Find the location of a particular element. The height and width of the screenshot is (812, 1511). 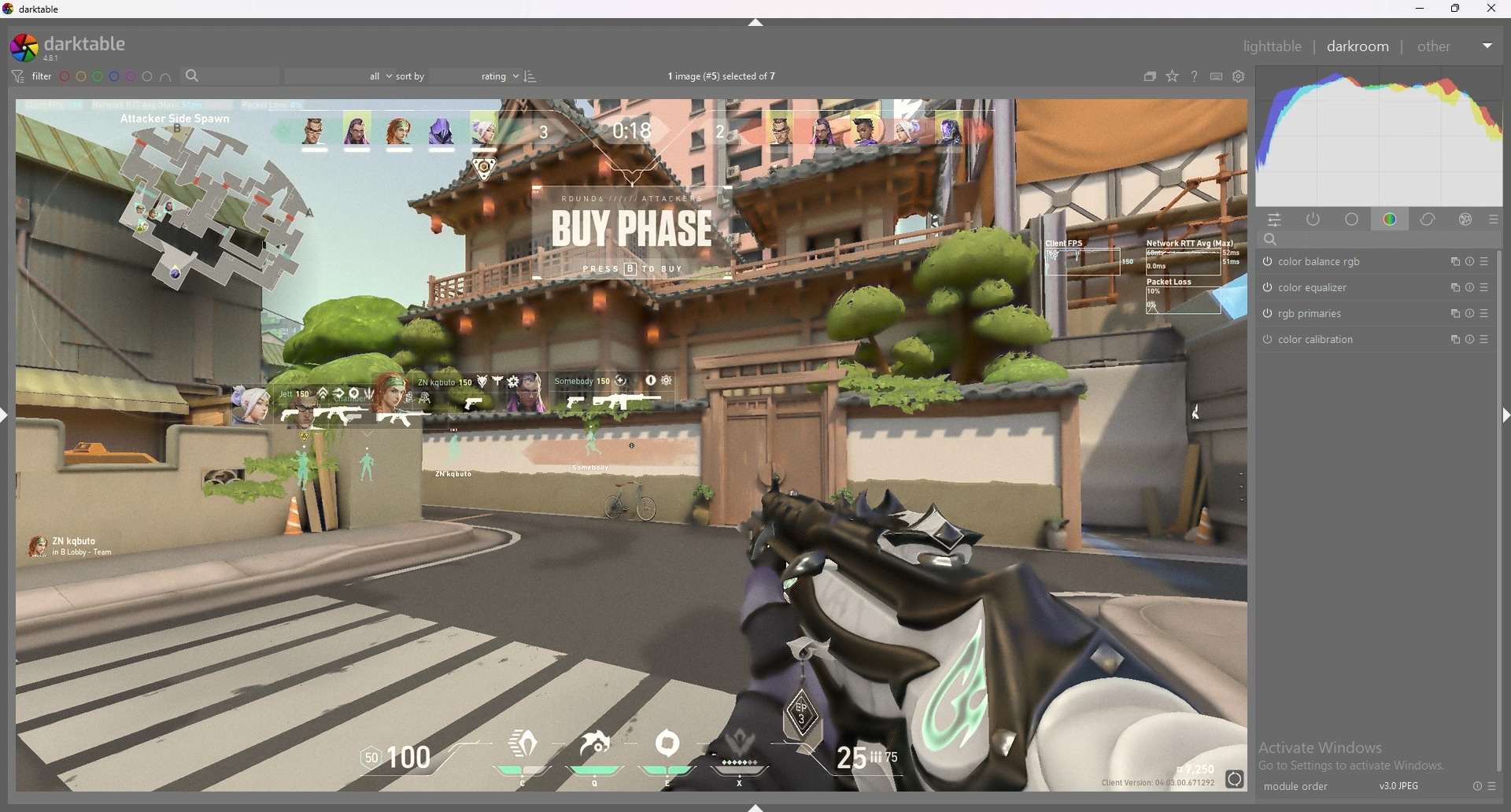

quick access panel is located at coordinates (1275, 220).